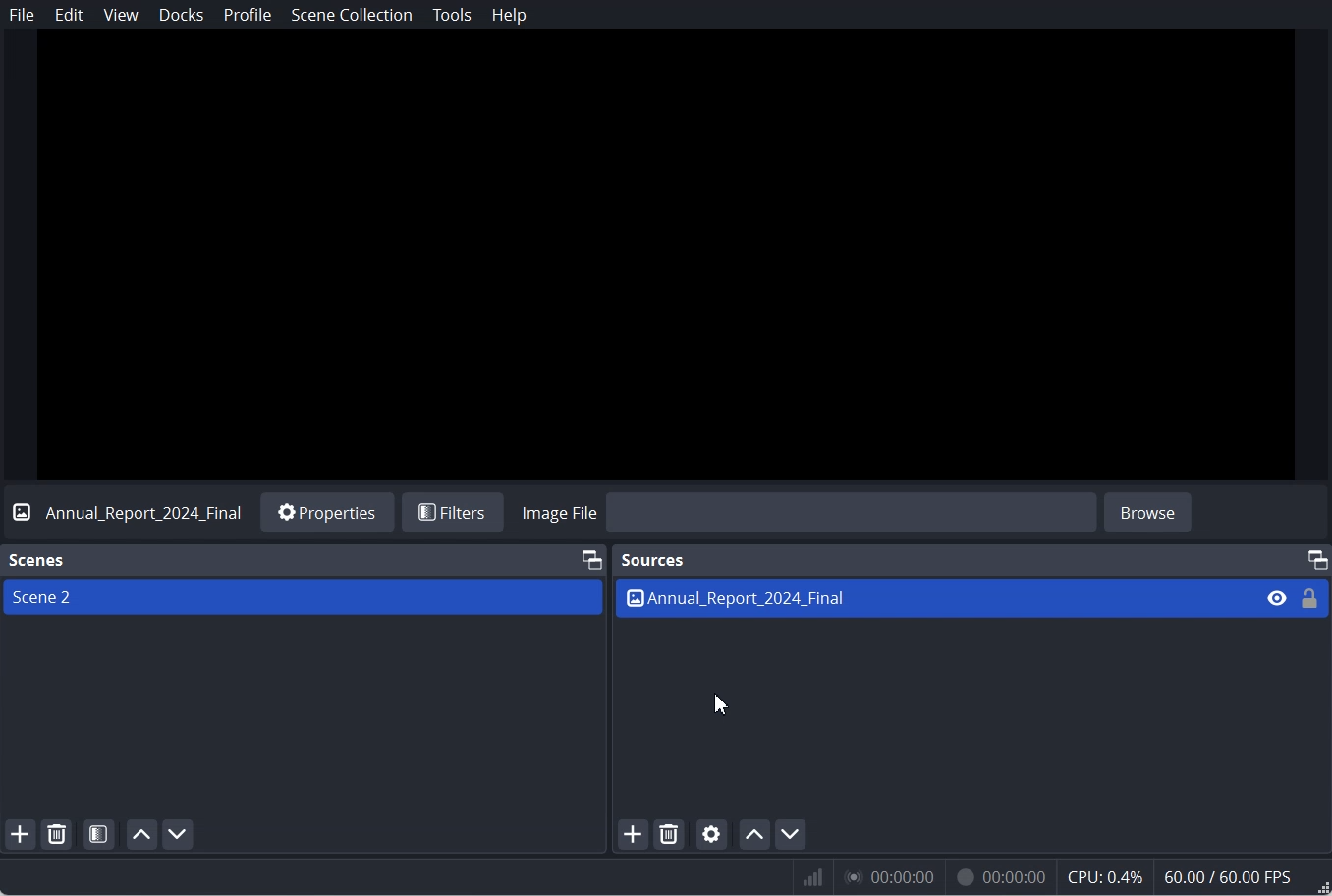 Image resolution: width=1332 pixels, height=896 pixels. Describe the element at coordinates (141, 833) in the screenshot. I see `Move scene up` at that location.